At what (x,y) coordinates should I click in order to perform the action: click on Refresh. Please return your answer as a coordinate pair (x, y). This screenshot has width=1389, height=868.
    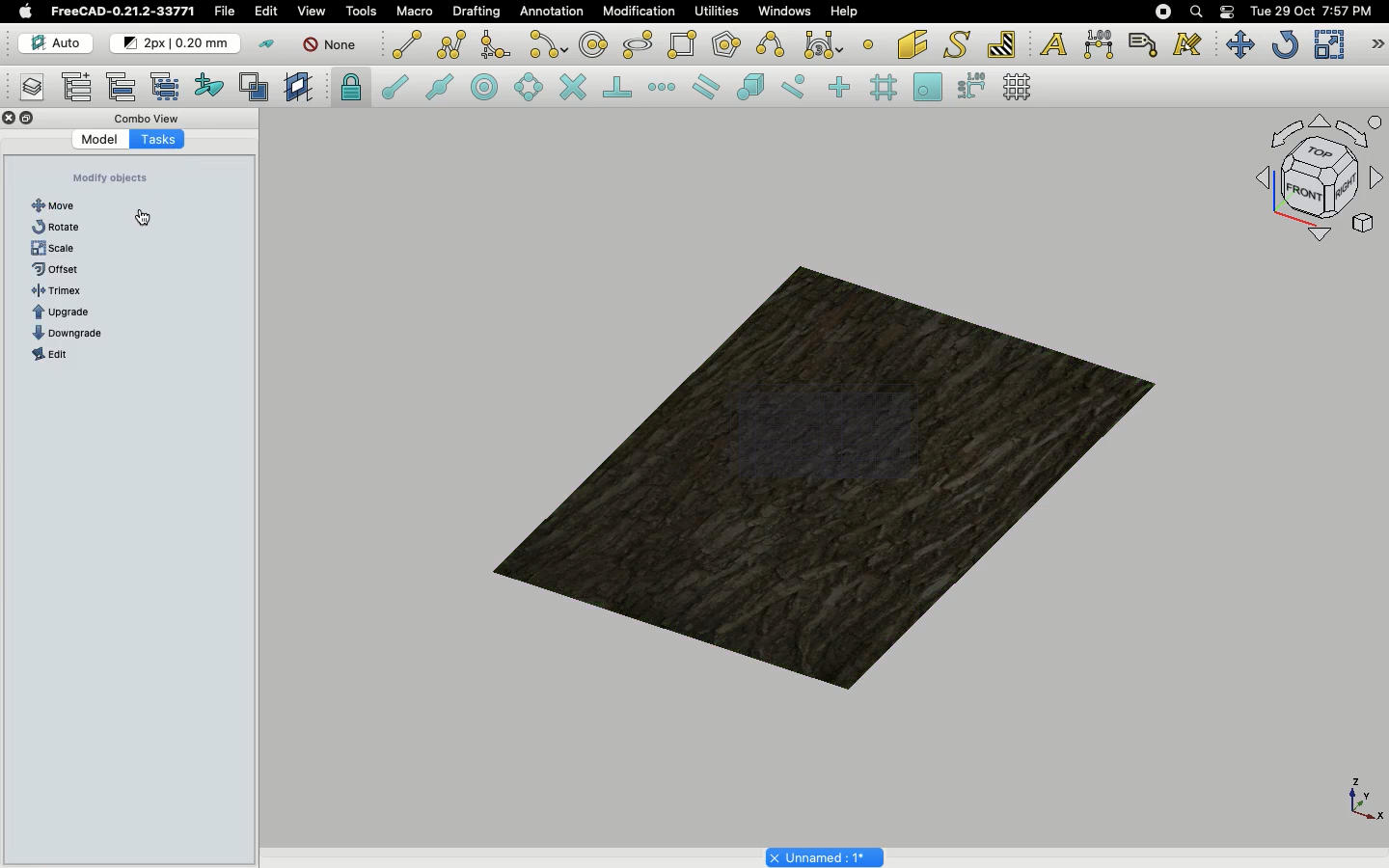
    Looking at the image, I should click on (1285, 46).